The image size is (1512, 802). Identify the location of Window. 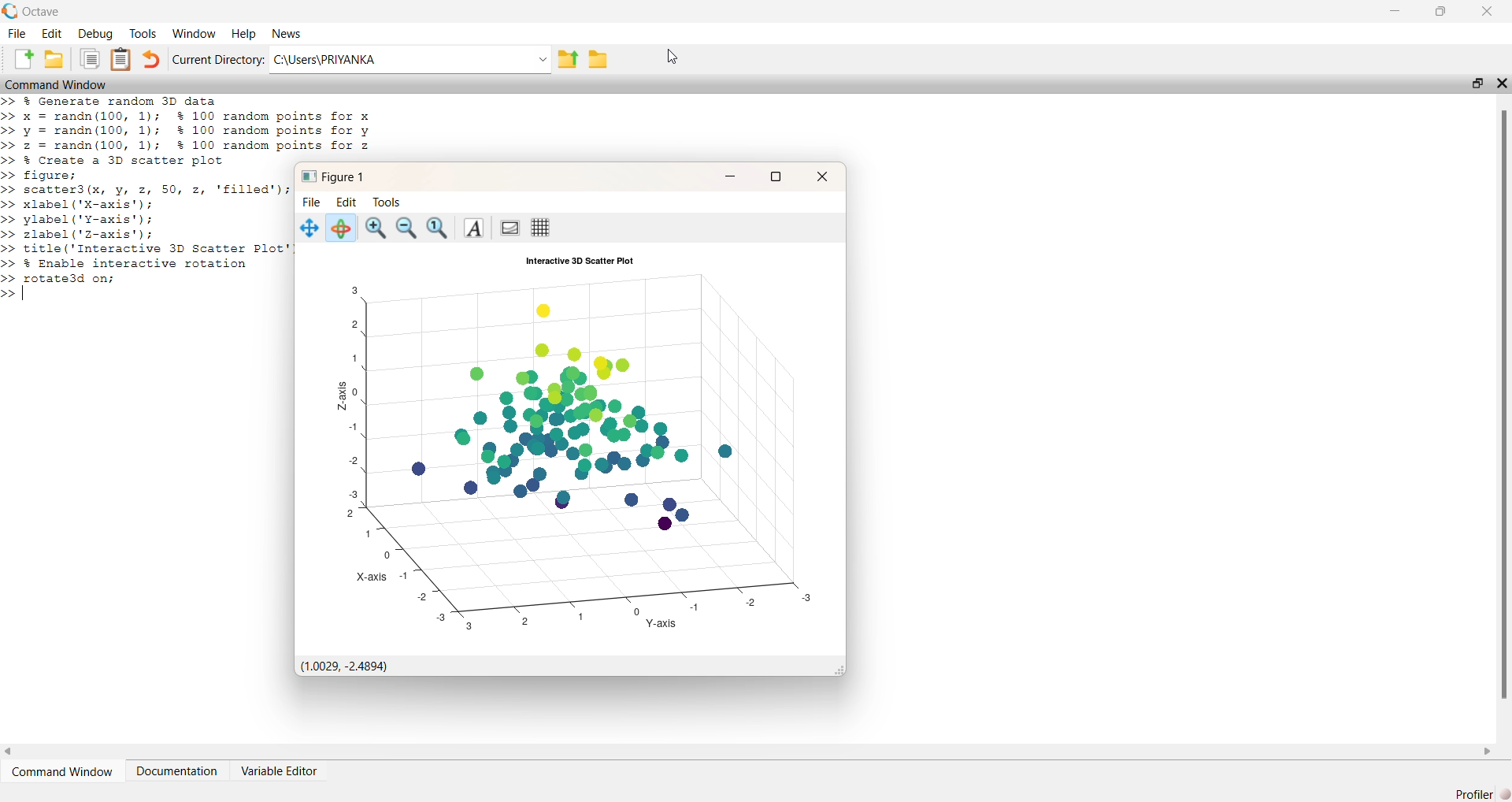
(196, 34).